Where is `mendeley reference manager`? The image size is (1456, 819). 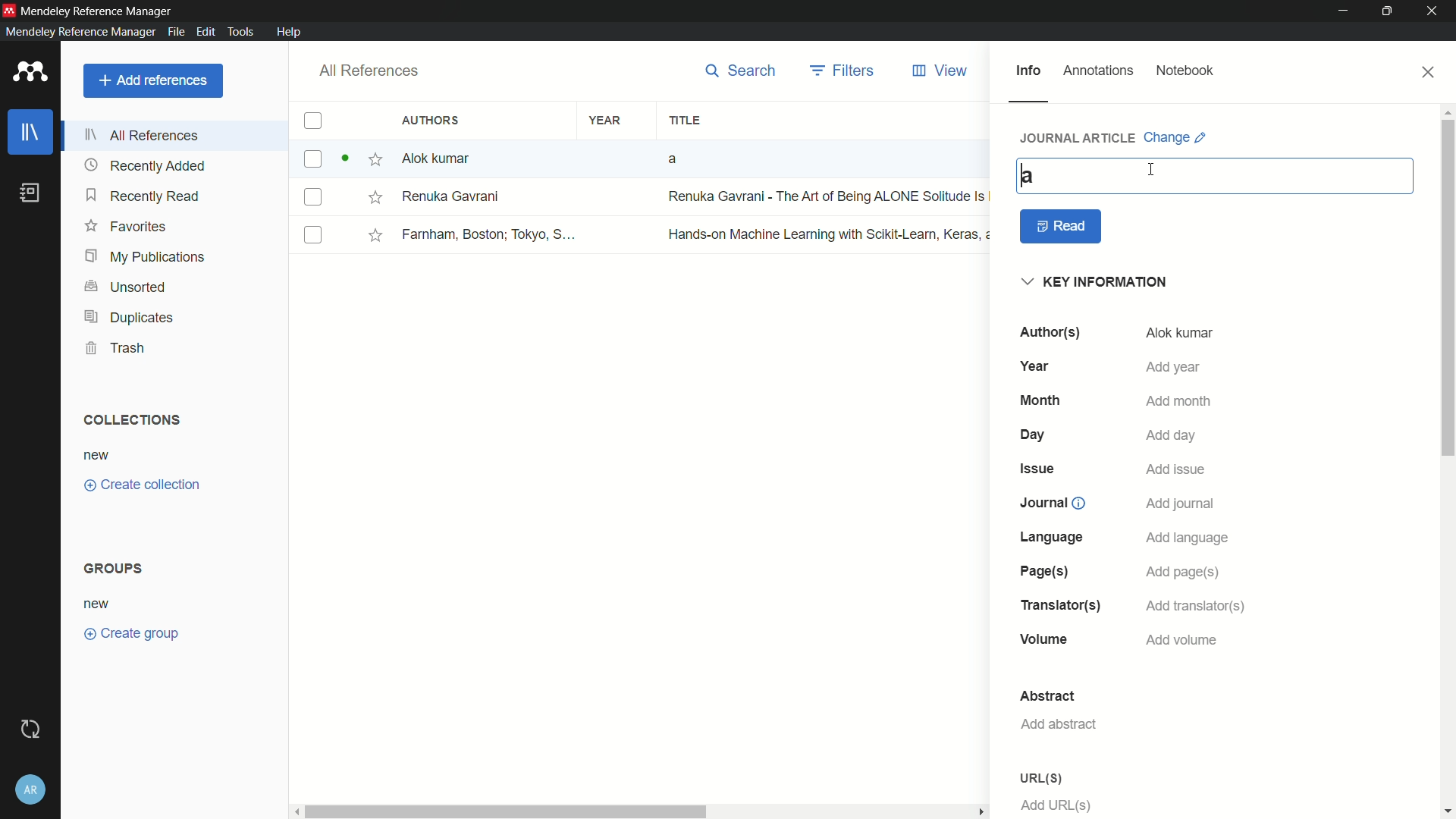
mendeley reference manager is located at coordinates (80, 31).